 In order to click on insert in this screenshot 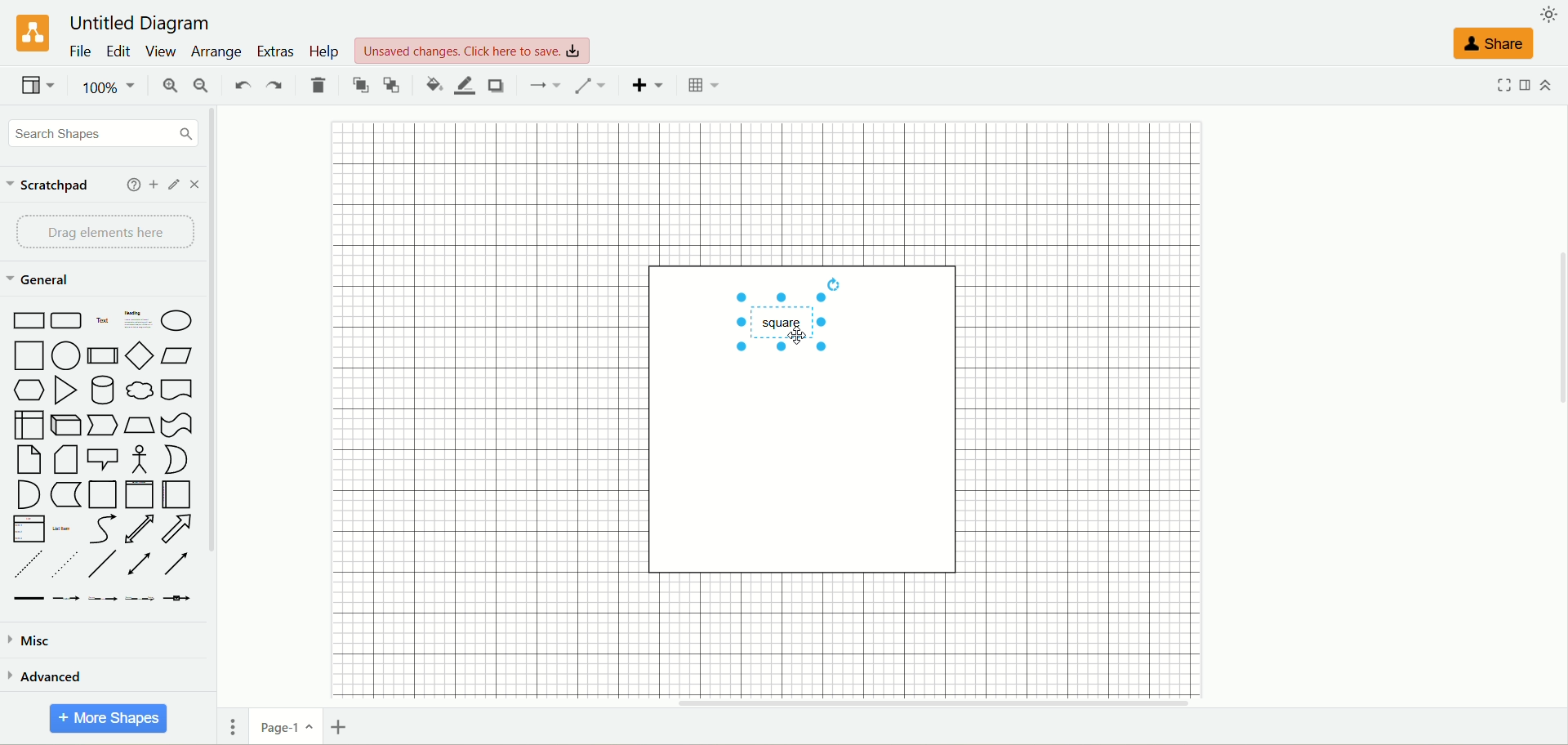, I will do `click(649, 85)`.